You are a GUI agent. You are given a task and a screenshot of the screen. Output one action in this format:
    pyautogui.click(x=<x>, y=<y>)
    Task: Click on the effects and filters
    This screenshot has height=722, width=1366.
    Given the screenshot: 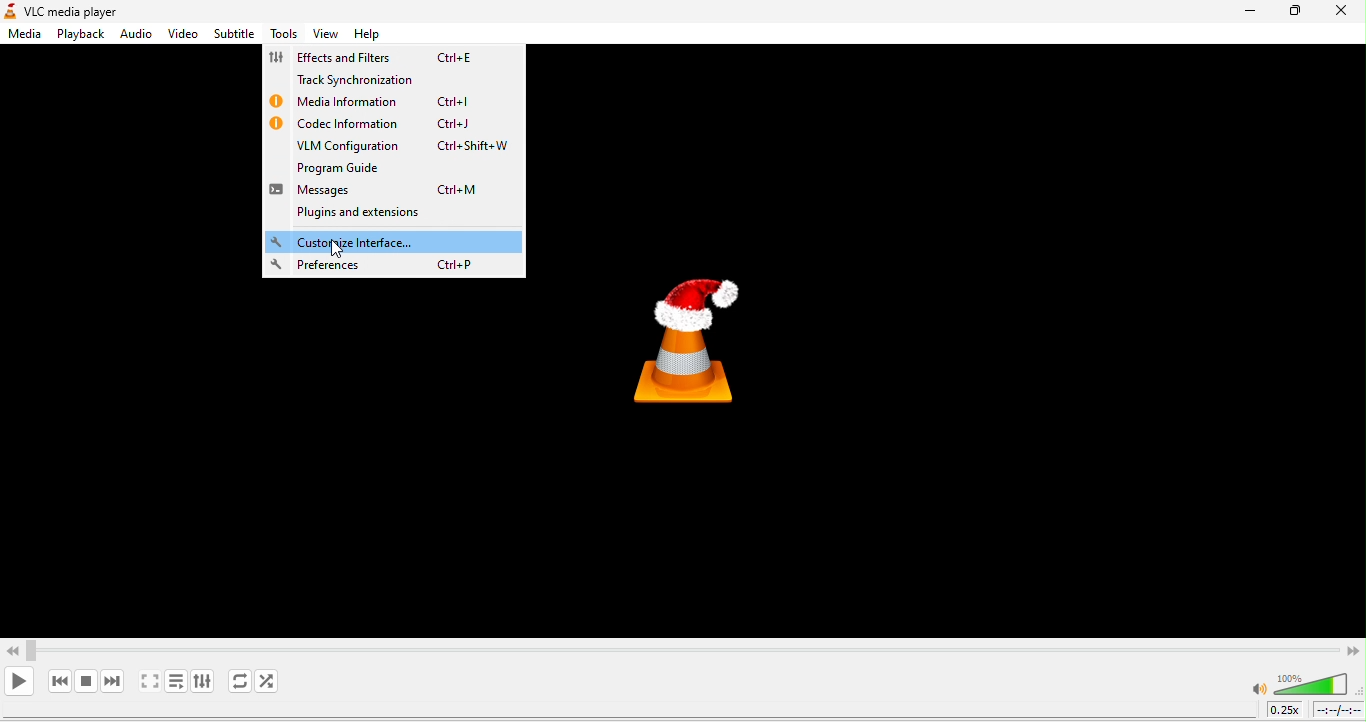 What is the action you would take?
    pyautogui.click(x=380, y=59)
    